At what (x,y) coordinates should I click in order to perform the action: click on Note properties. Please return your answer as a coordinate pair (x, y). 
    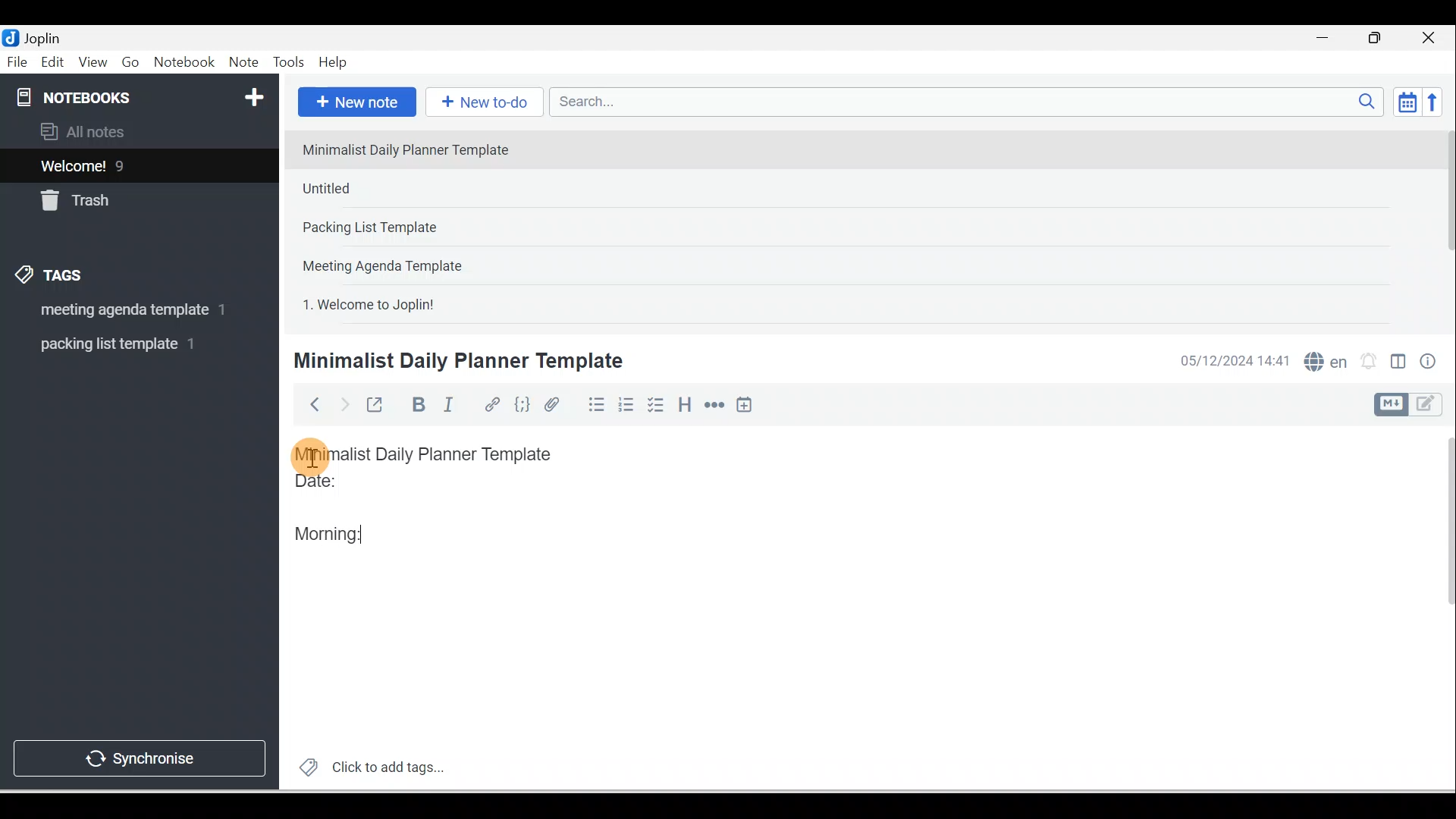
    Looking at the image, I should click on (1429, 363).